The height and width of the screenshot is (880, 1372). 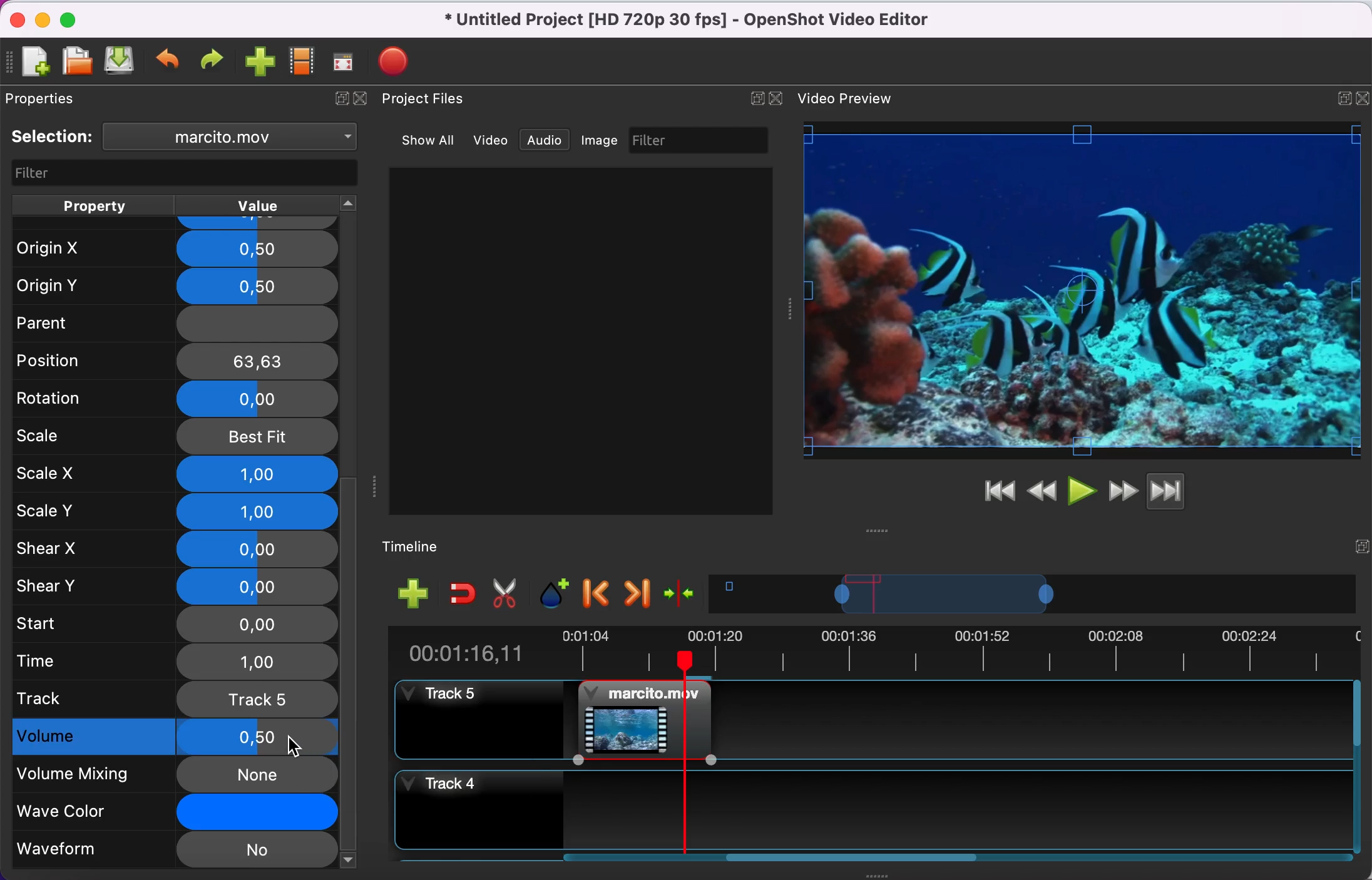 What do you see at coordinates (179, 172) in the screenshot?
I see `filter` at bounding box center [179, 172].